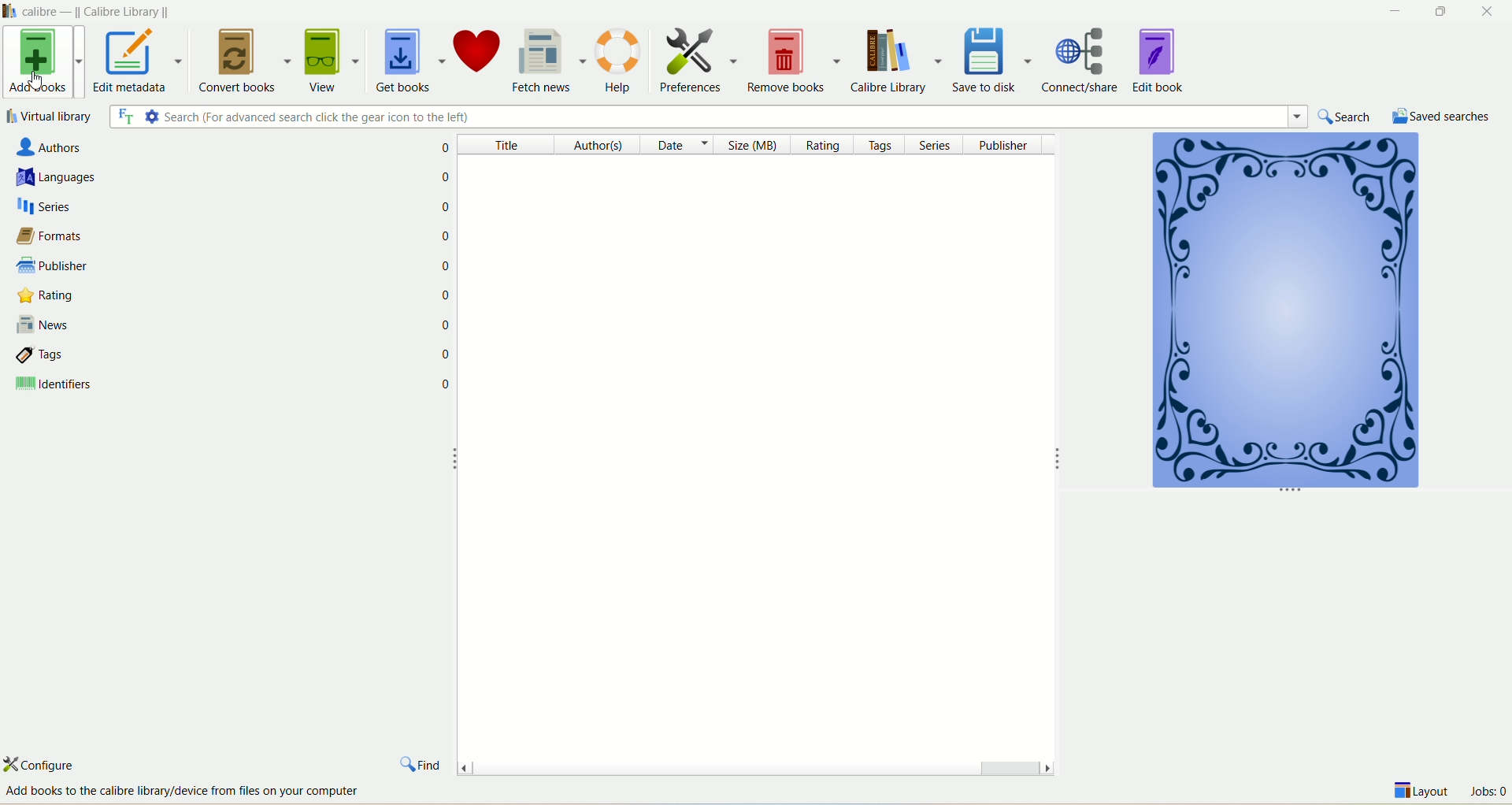  I want to click on donate, so click(480, 57).